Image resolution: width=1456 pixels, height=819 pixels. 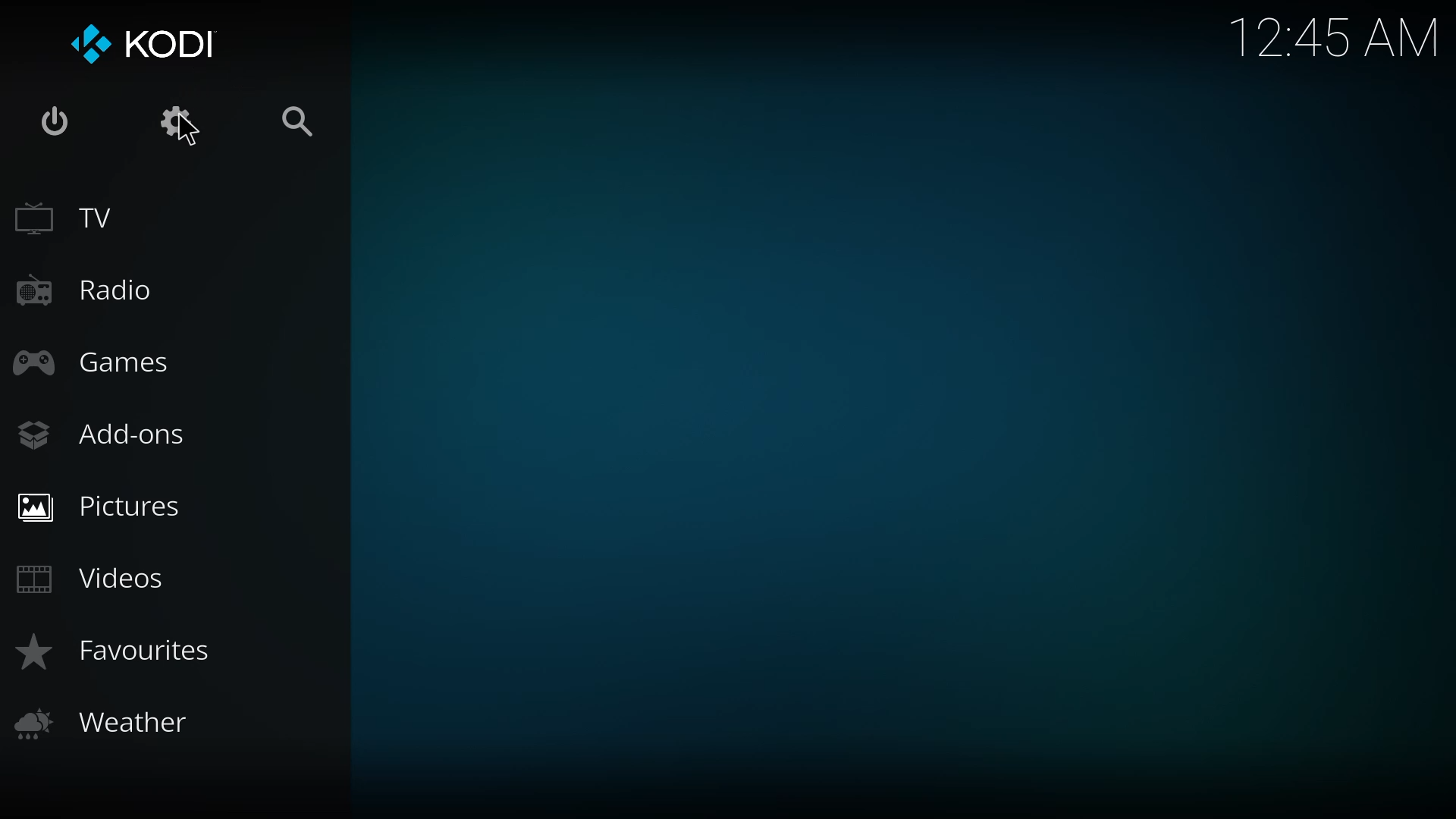 What do you see at coordinates (127, 654) in the screenshot?
I see `favorites` at bounding box center [127, 654].